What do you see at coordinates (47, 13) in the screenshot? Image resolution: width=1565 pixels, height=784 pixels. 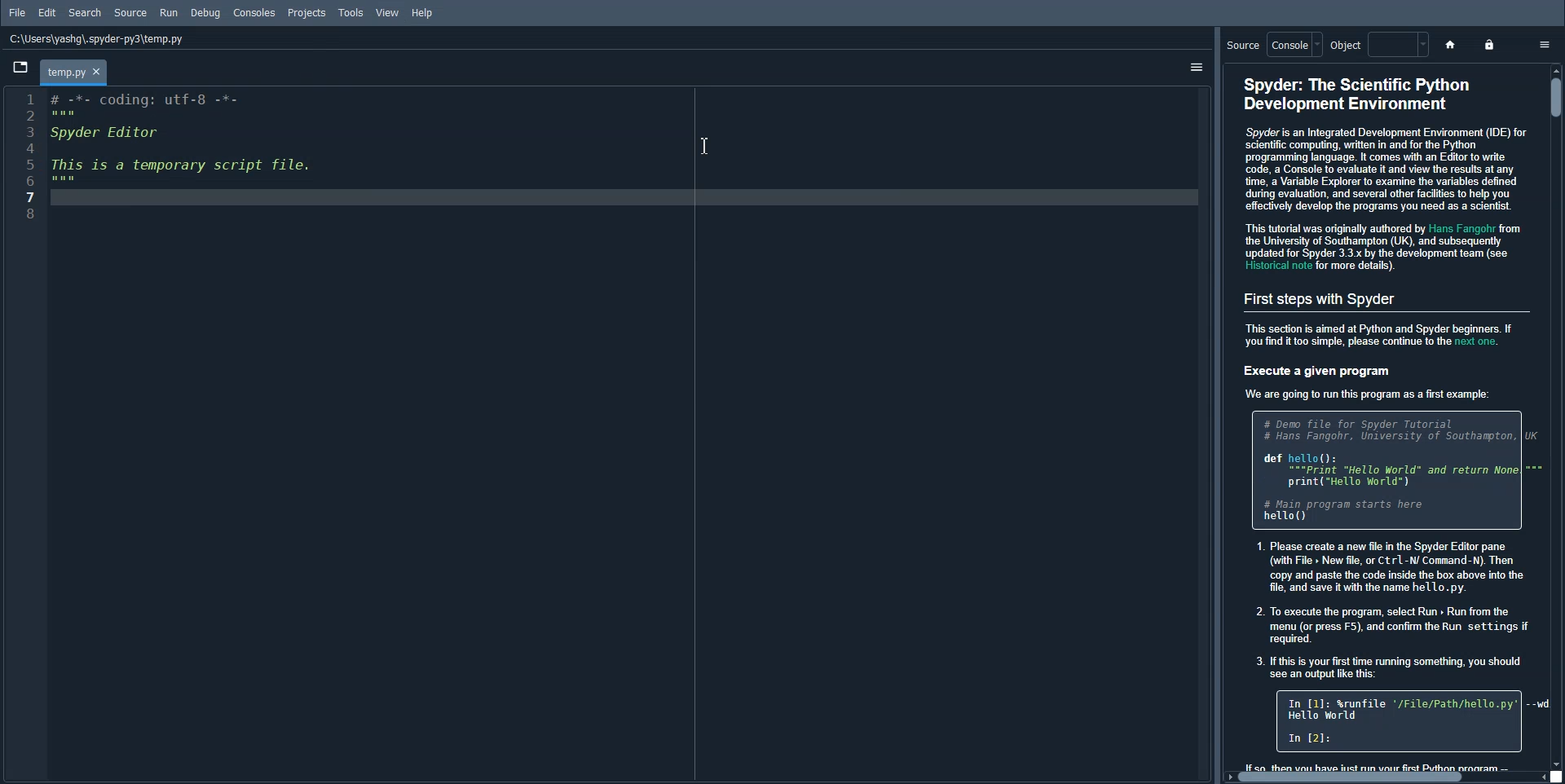 I see `Edit` at bounding box center [47, 13].